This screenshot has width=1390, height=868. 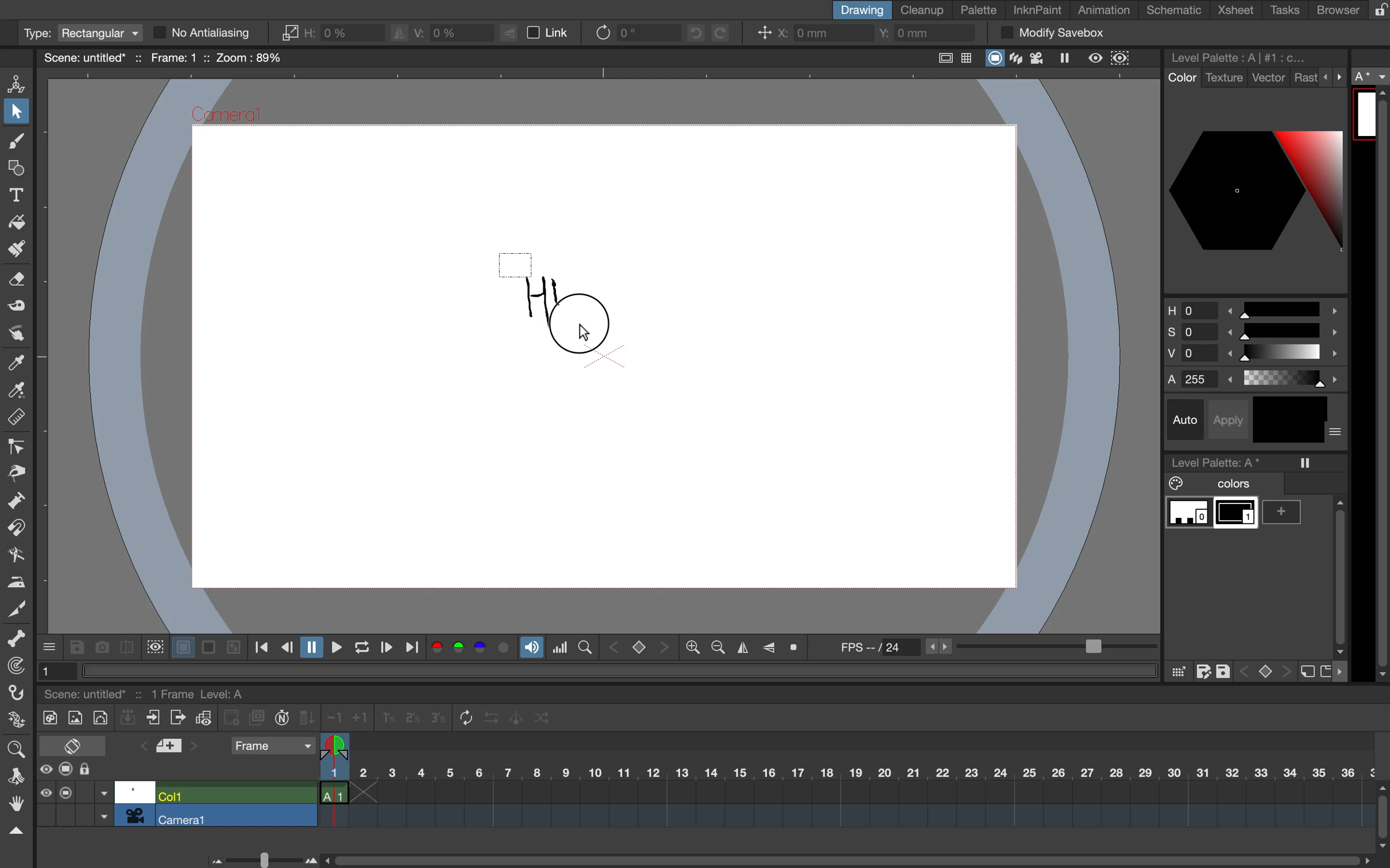 What do you see at coordinates (18, 502) in the screenshot?
I see `pump tool` at bounding box center [18, 502].